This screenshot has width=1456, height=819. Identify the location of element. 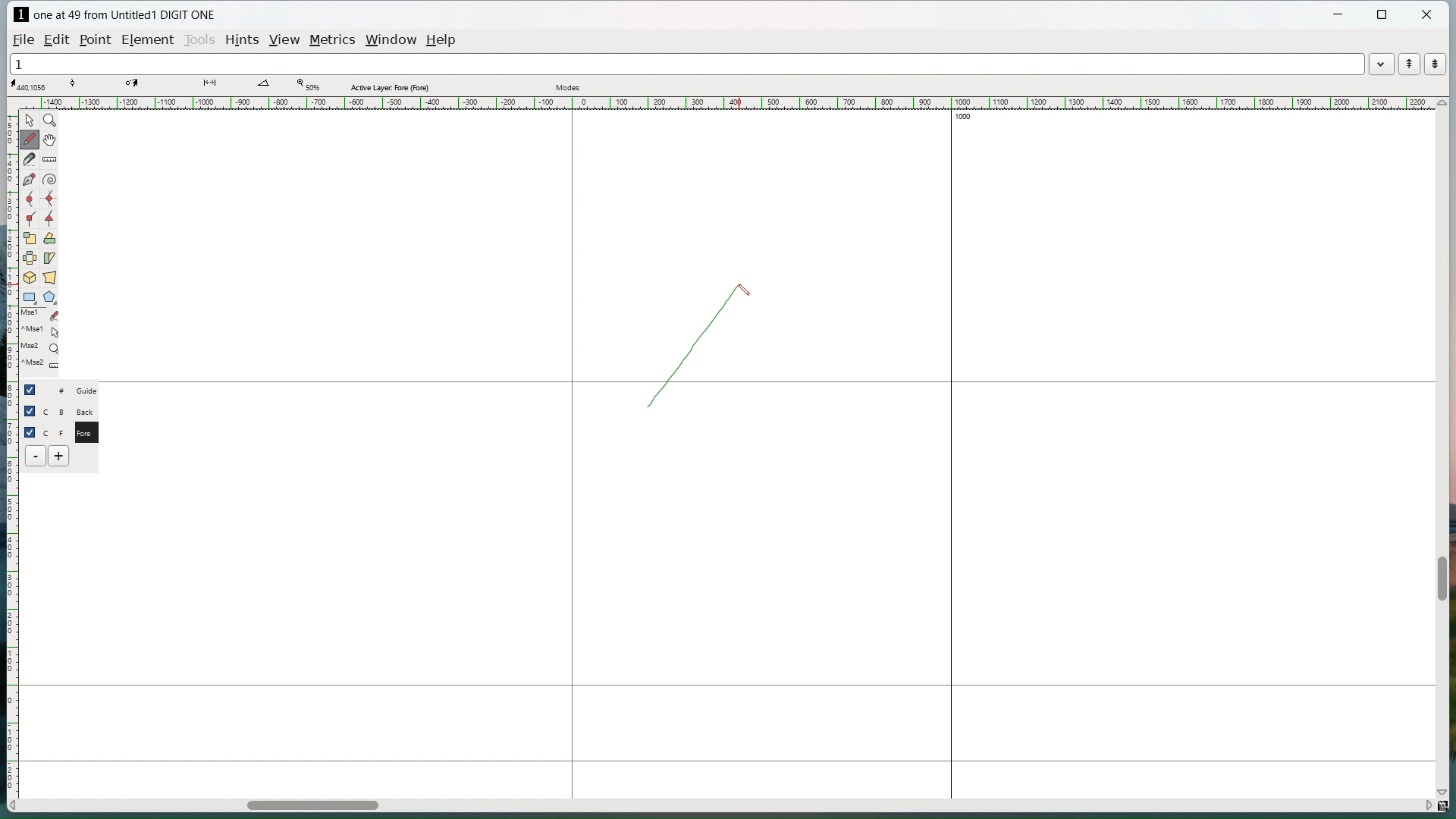
(147, 39).